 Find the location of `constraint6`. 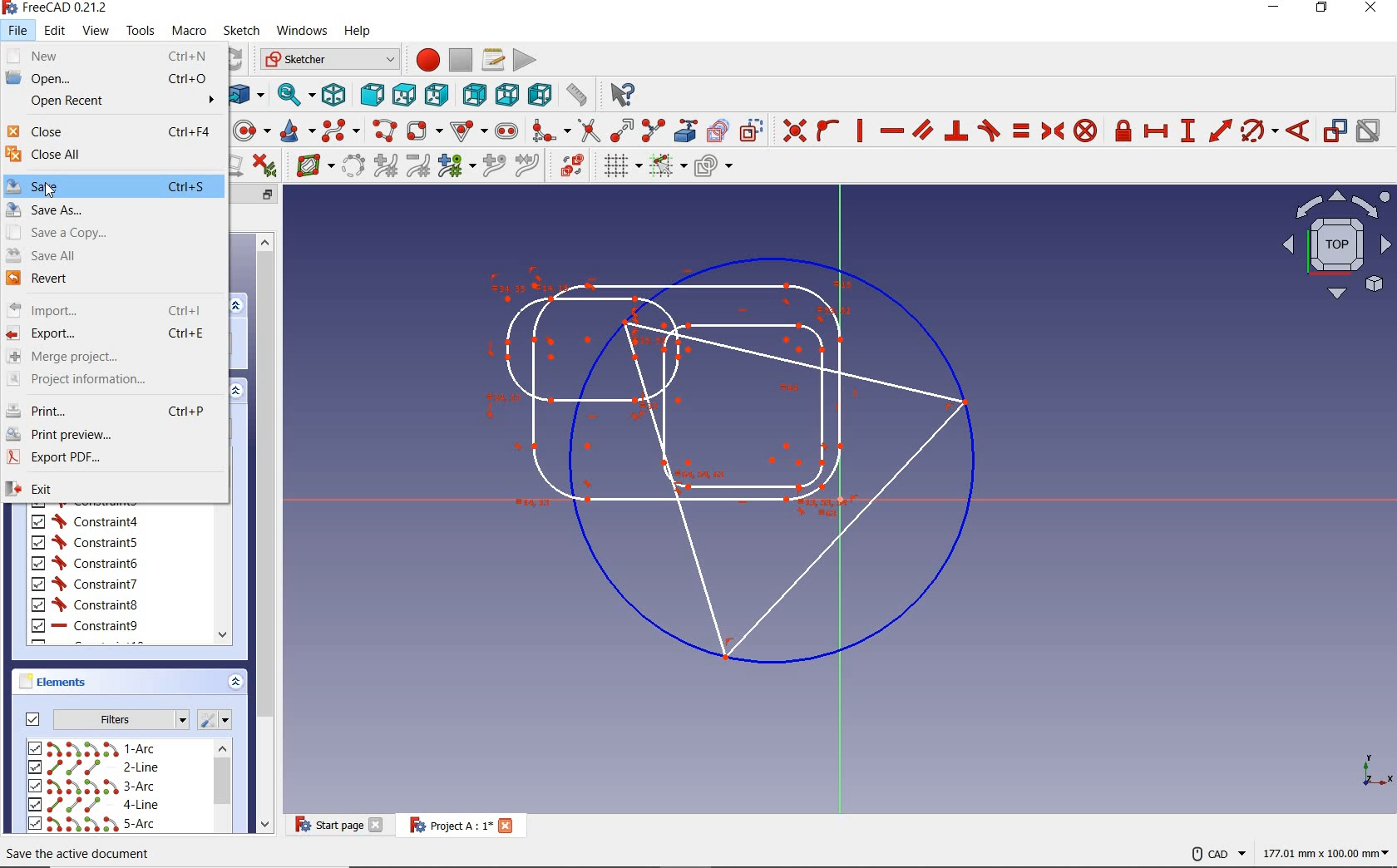

constraint6 is located at coordinates (86, 562).